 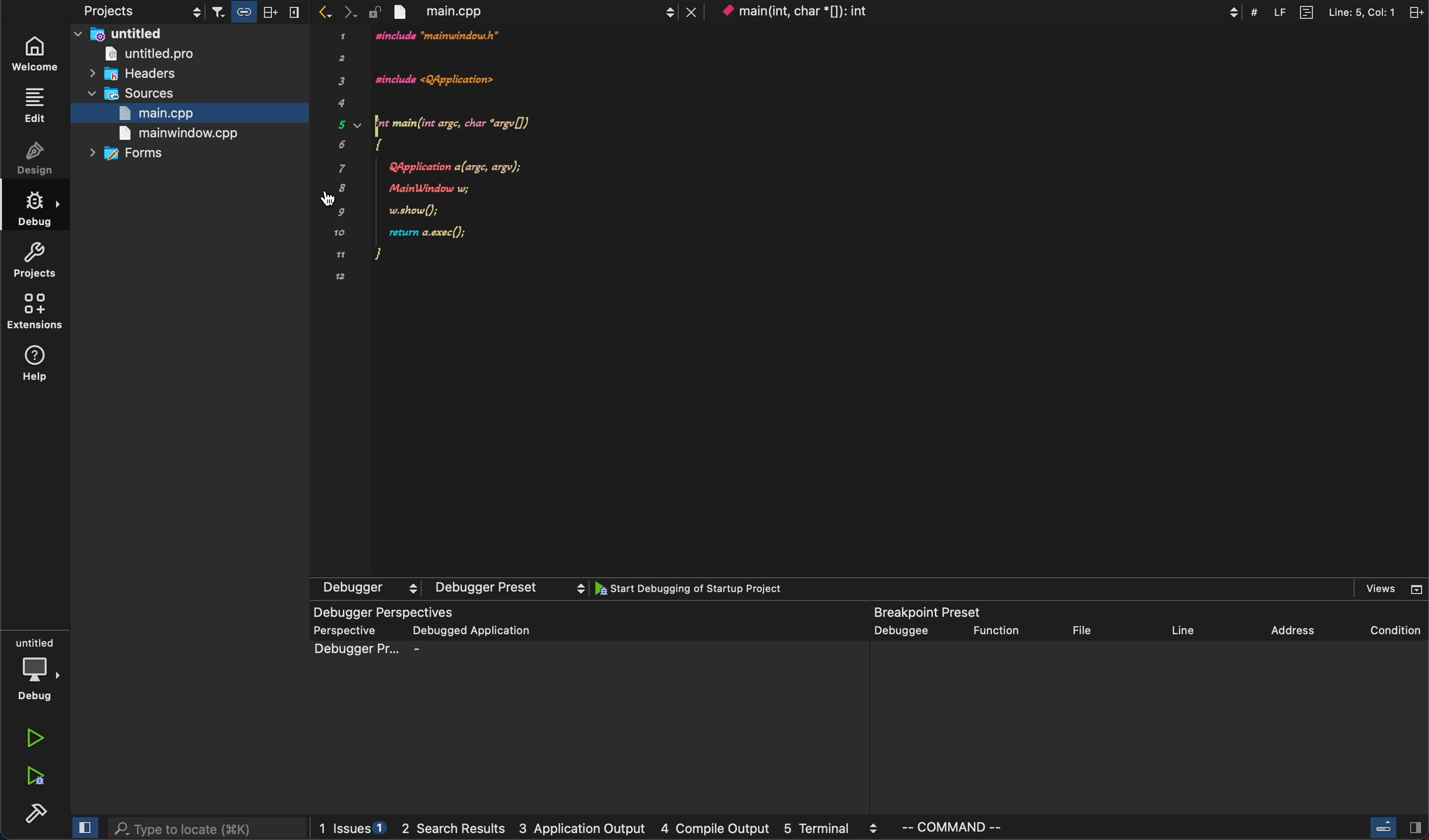 What do you see at coordinates (36, 160) in the screenshot?
I see `design` at bounding box center [36, 160].